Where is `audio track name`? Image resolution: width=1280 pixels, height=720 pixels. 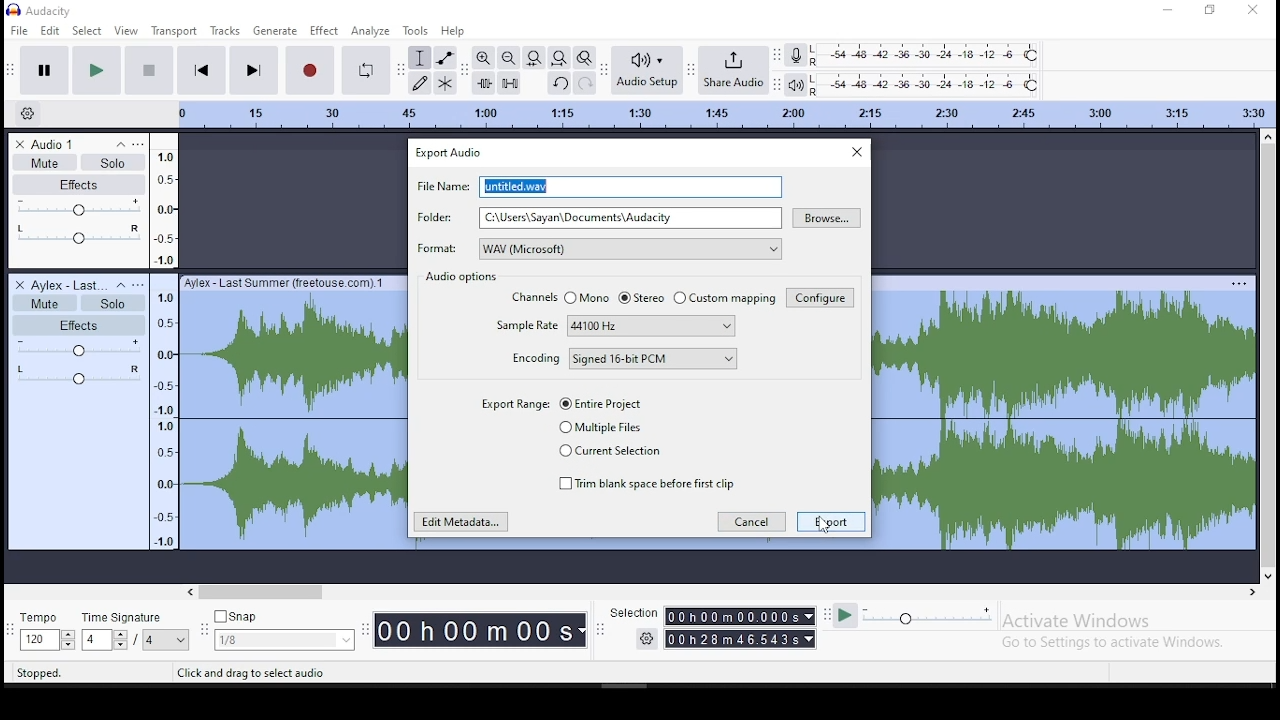
audio track name is located at coordinates (71, 284).